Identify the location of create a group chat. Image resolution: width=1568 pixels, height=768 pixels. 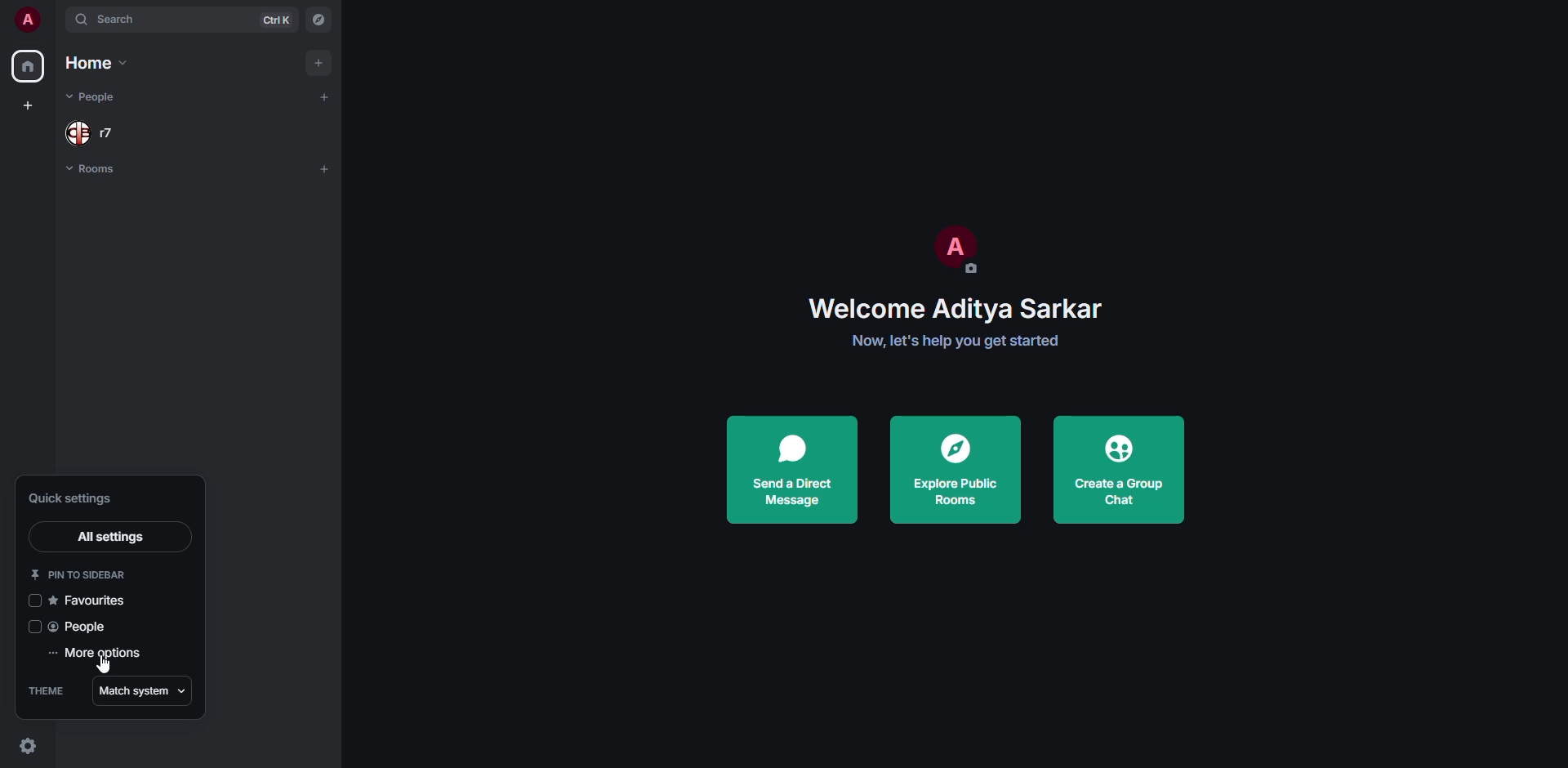
(1124, 469).